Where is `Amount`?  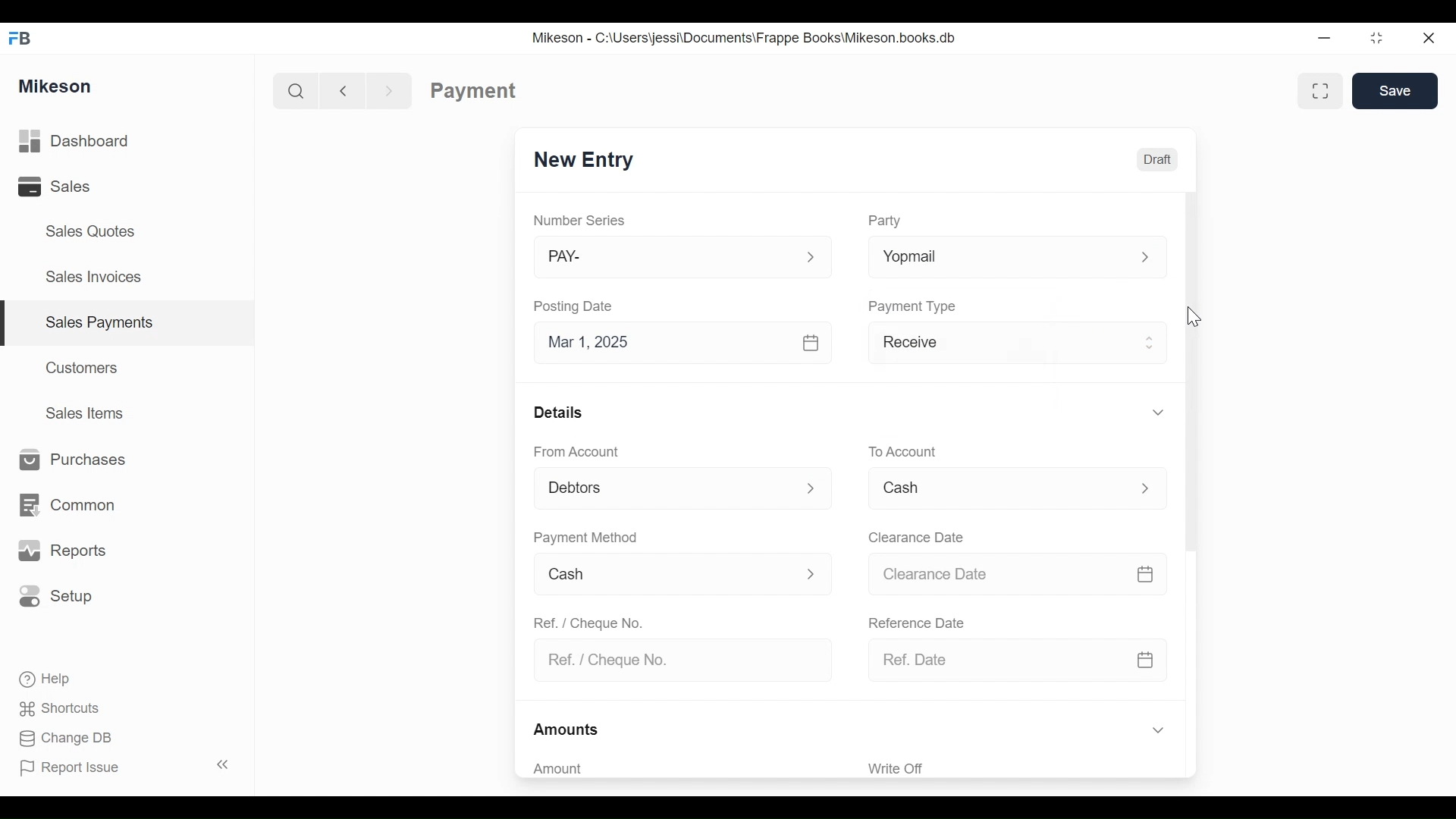
Amount is located at coordinates (566, 769).